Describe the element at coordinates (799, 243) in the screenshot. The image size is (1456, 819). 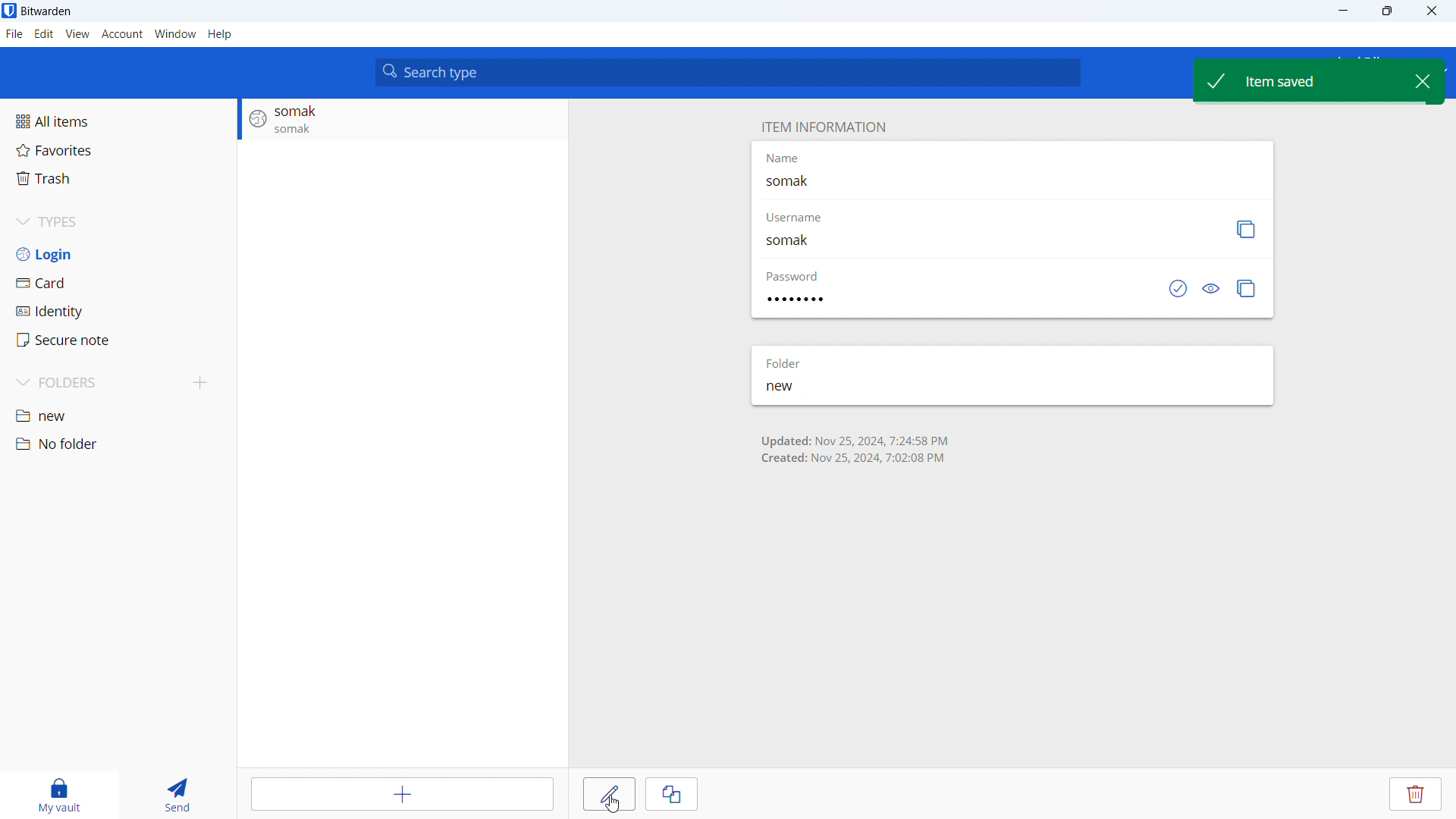
I see `somak` at that location.